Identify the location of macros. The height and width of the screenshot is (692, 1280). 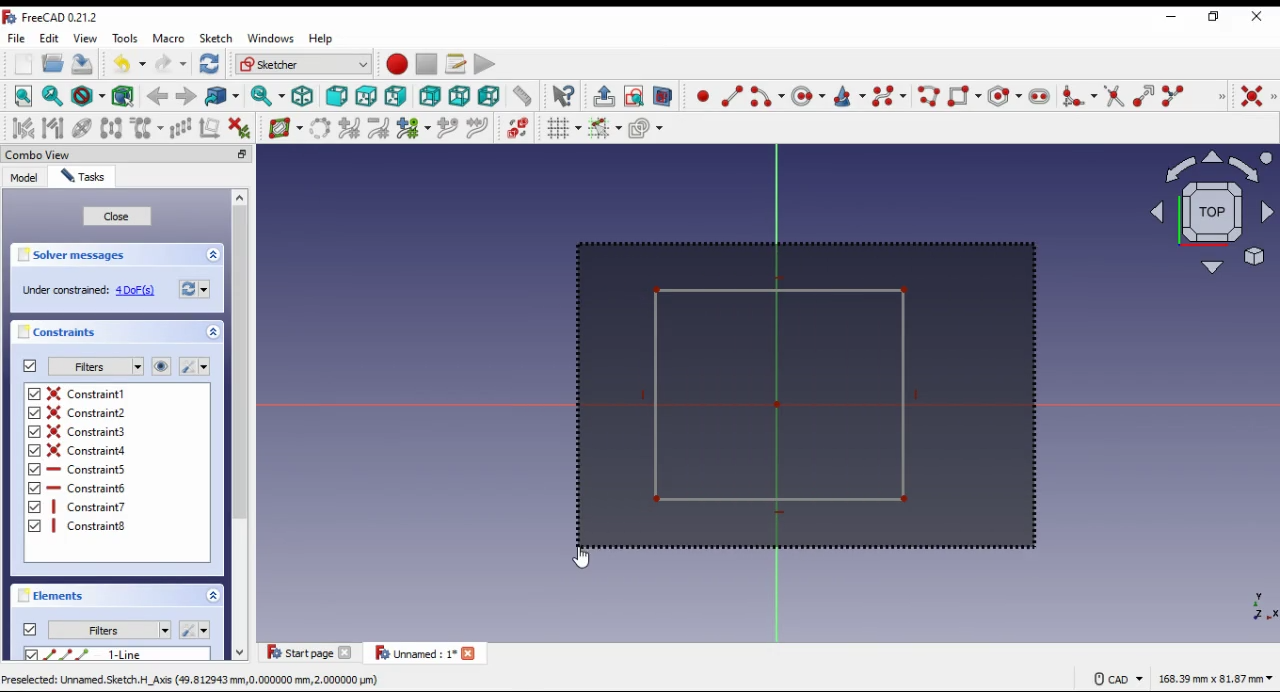
(455, 65).